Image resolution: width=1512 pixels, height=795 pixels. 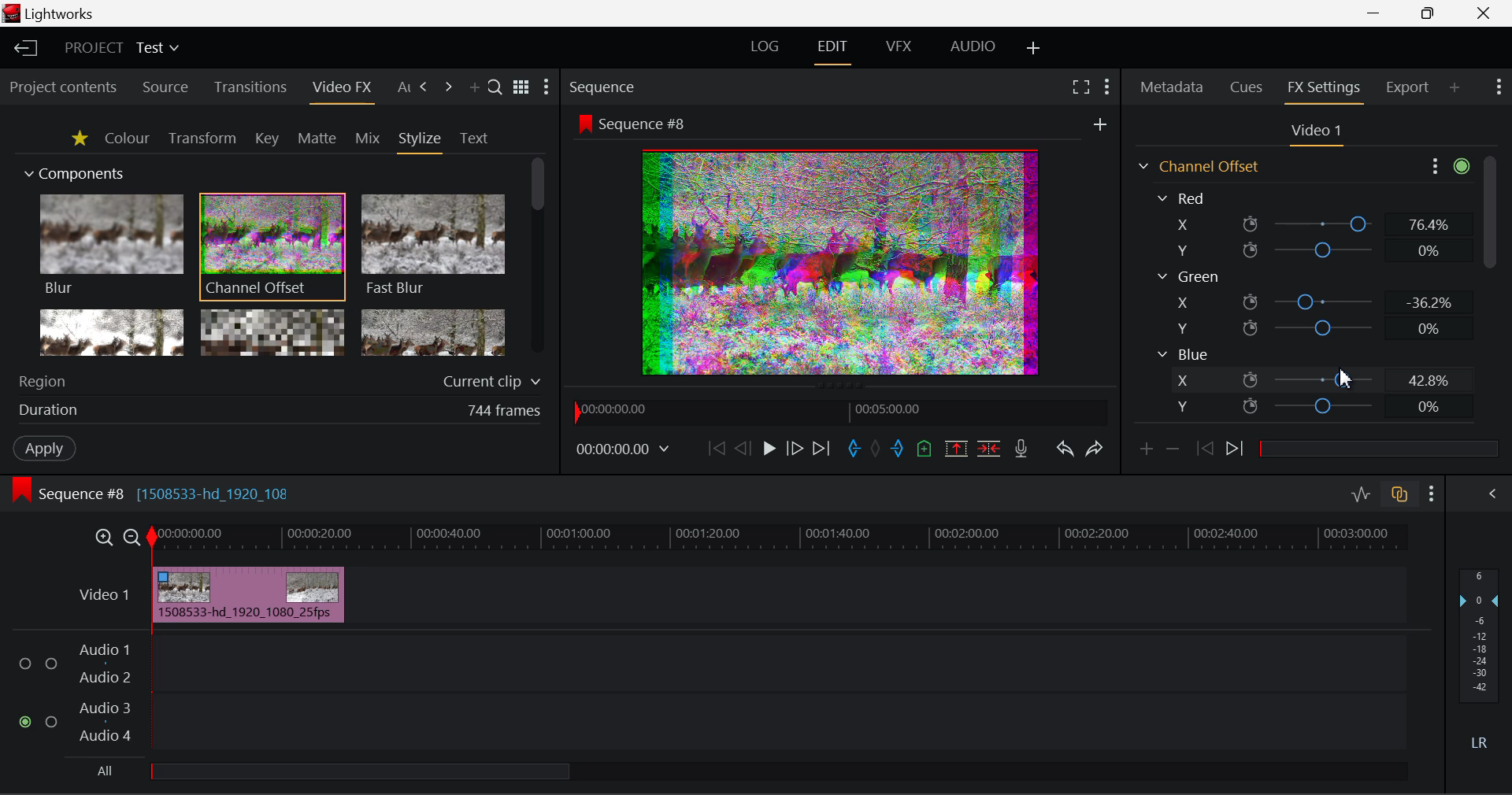 I want to click on Components Section, so click(x=72, y=171).